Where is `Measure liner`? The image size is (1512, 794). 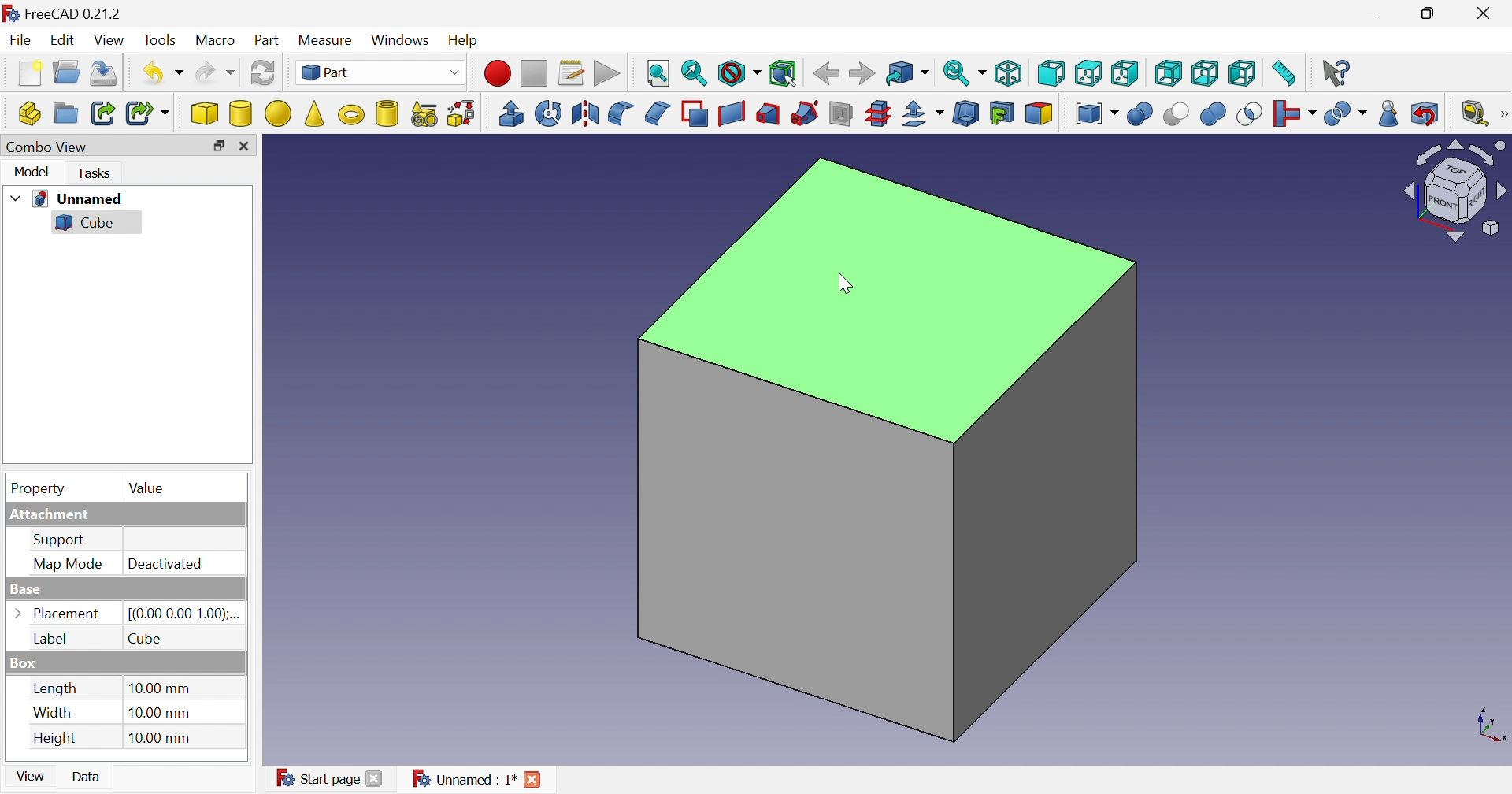 Measure liner is located at coordinates (1475, 114).